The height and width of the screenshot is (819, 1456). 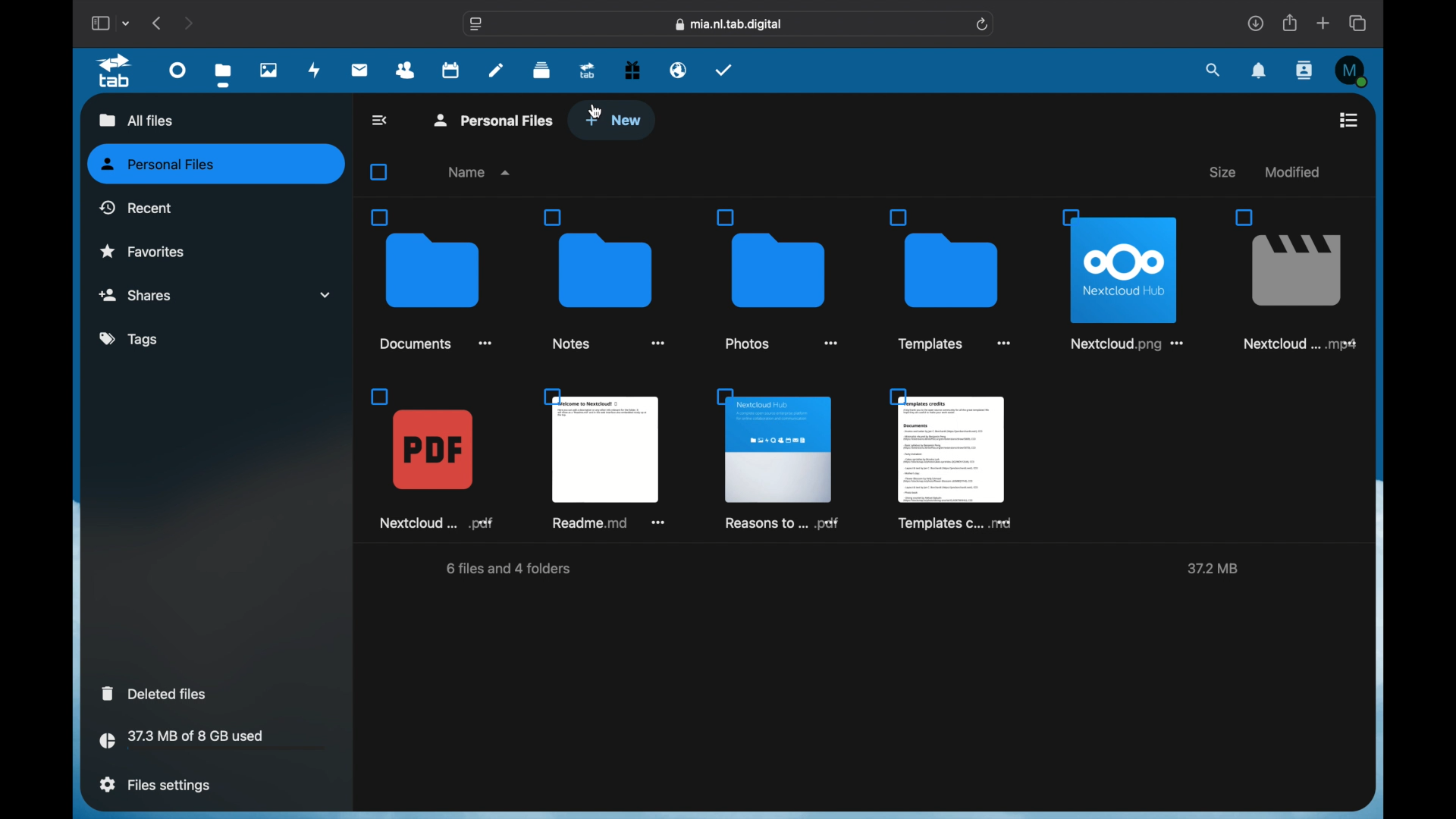 I want to click on shares, so click(x=215, y=295).